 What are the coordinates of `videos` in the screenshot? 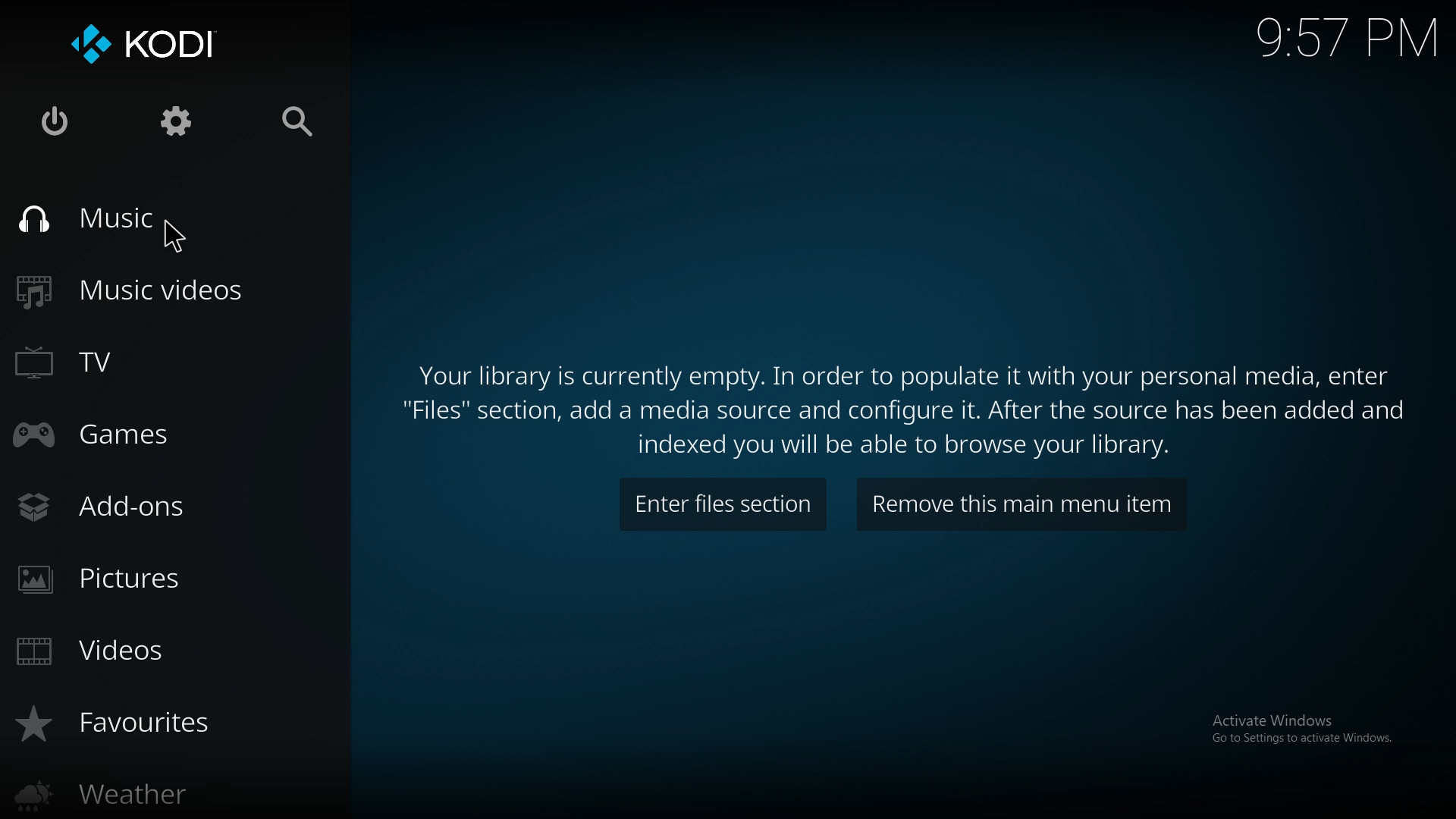 It's located at (153, 650).